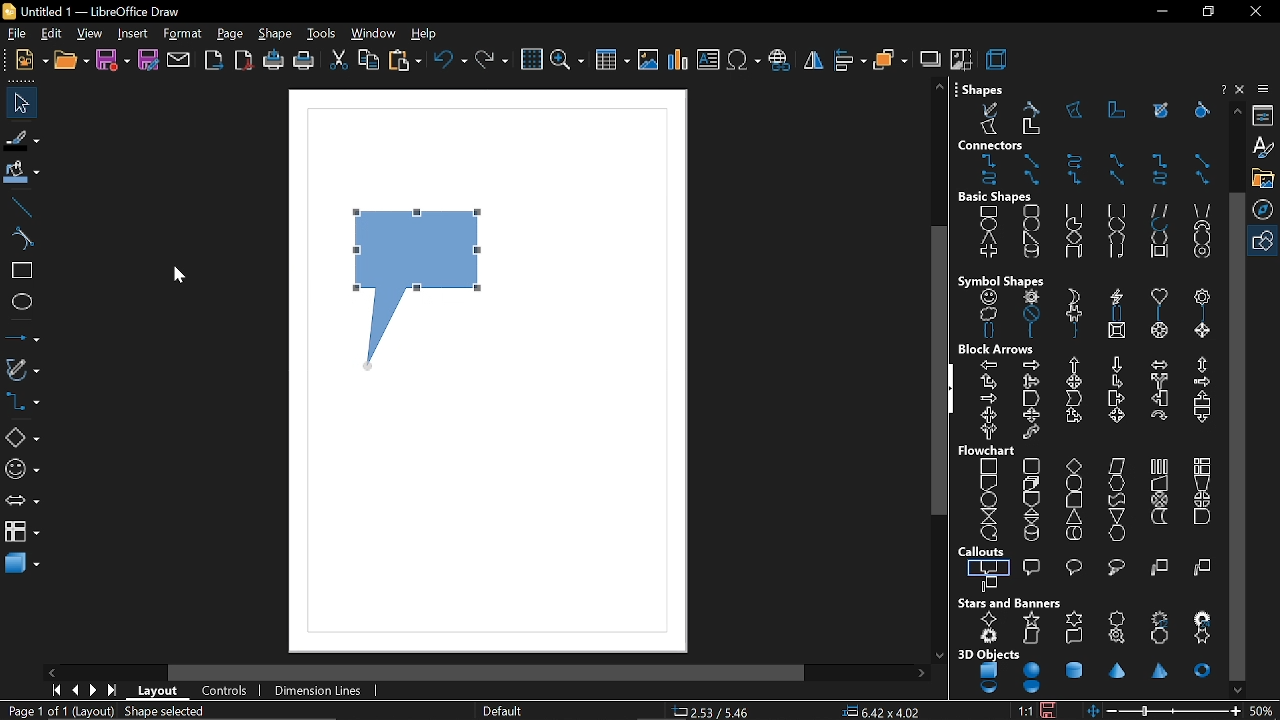 Image resolution: width=1280 pixels, height=720 pixels. What do you see at coordinates (1030, 381) in the screenshot?
I see `up, right and down arrow` at bounding box center [1030, 381].